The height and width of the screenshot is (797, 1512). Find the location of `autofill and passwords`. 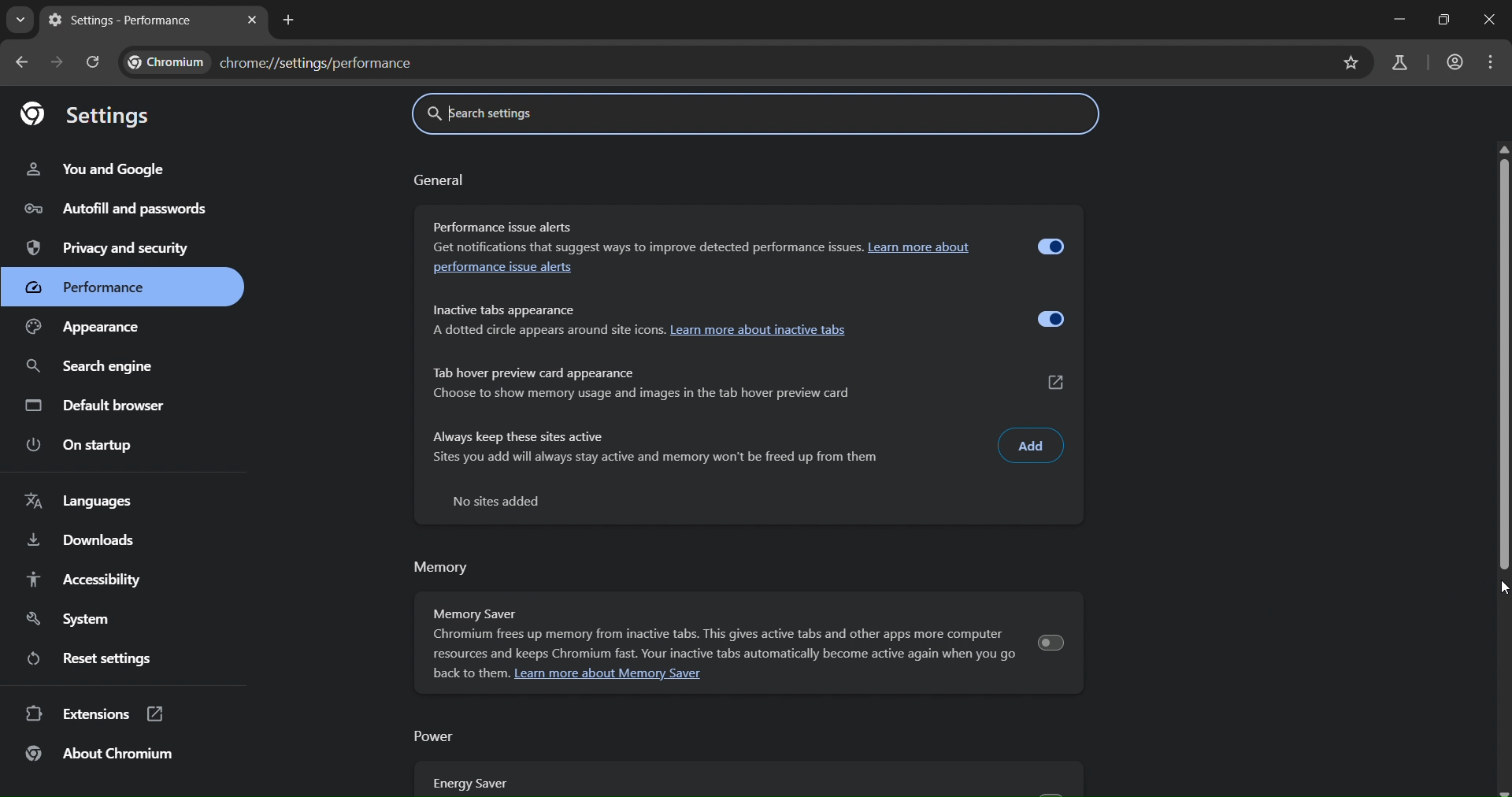

autofill and passwords is located at coordinates (119, 210).